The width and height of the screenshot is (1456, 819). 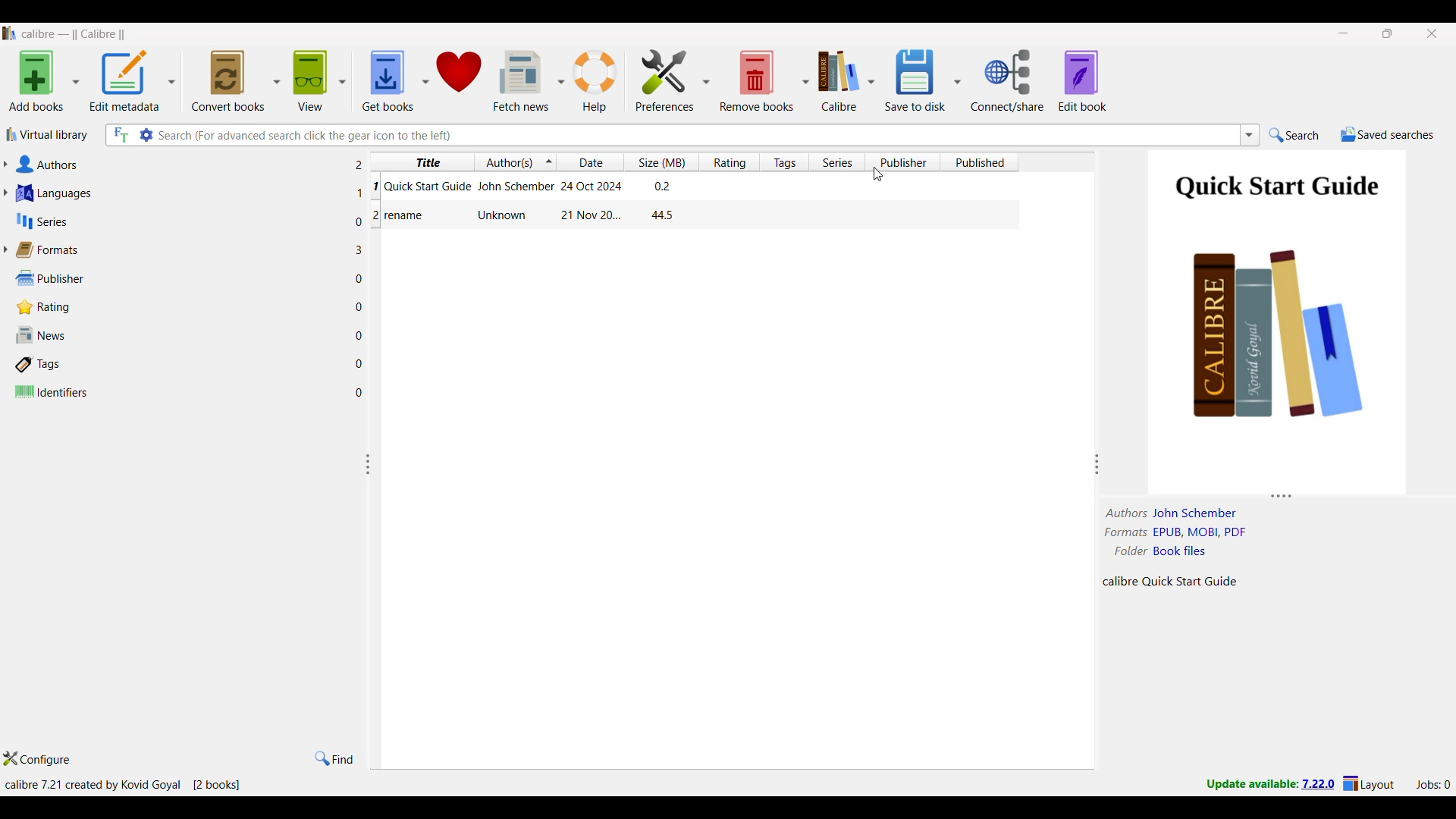 What do you see at coordinates (364, 309) in the screenshot?
I see `0` at bounding box center [364, 309].